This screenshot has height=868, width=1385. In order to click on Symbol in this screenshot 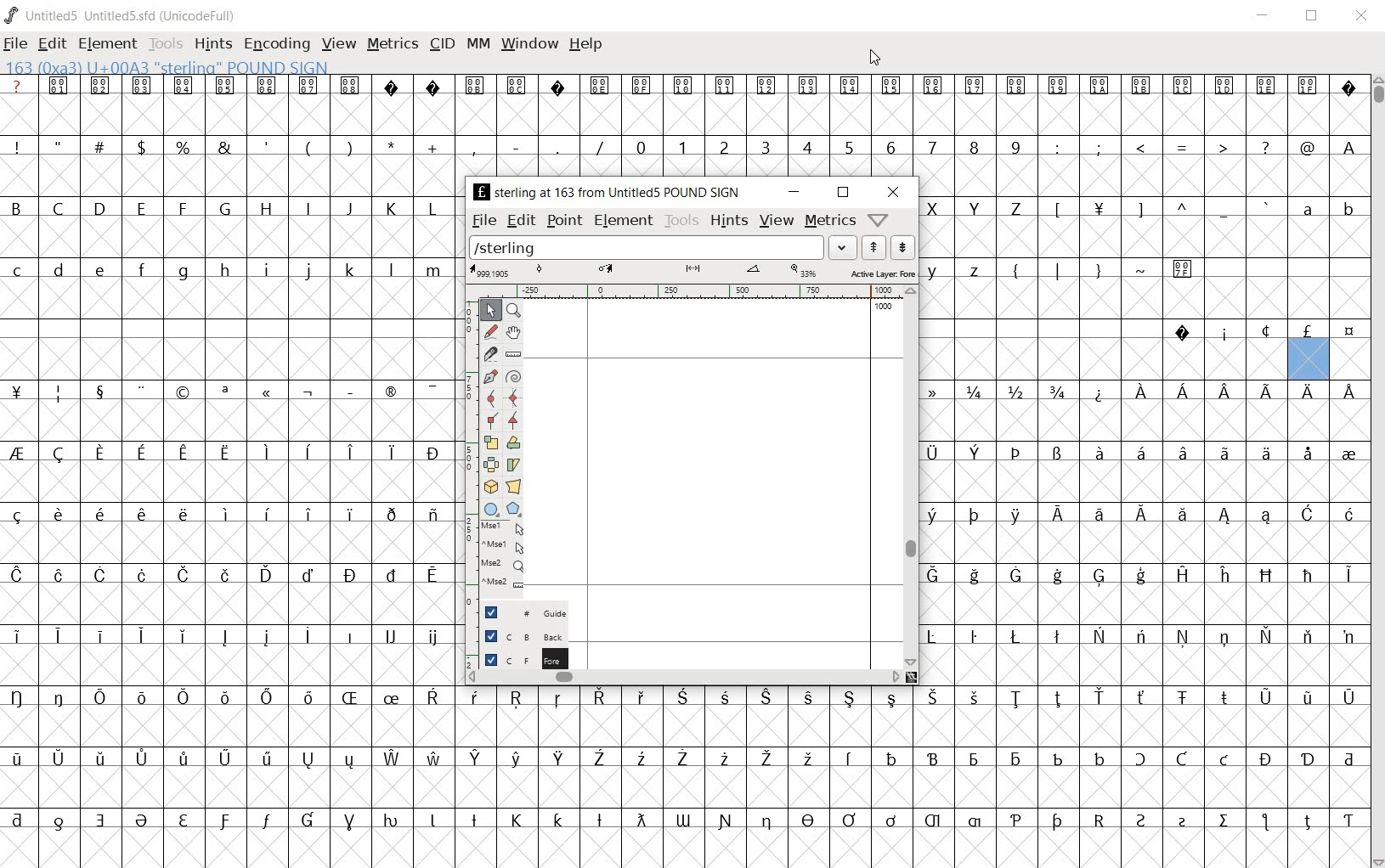, I will do `click(1307, 332)`.